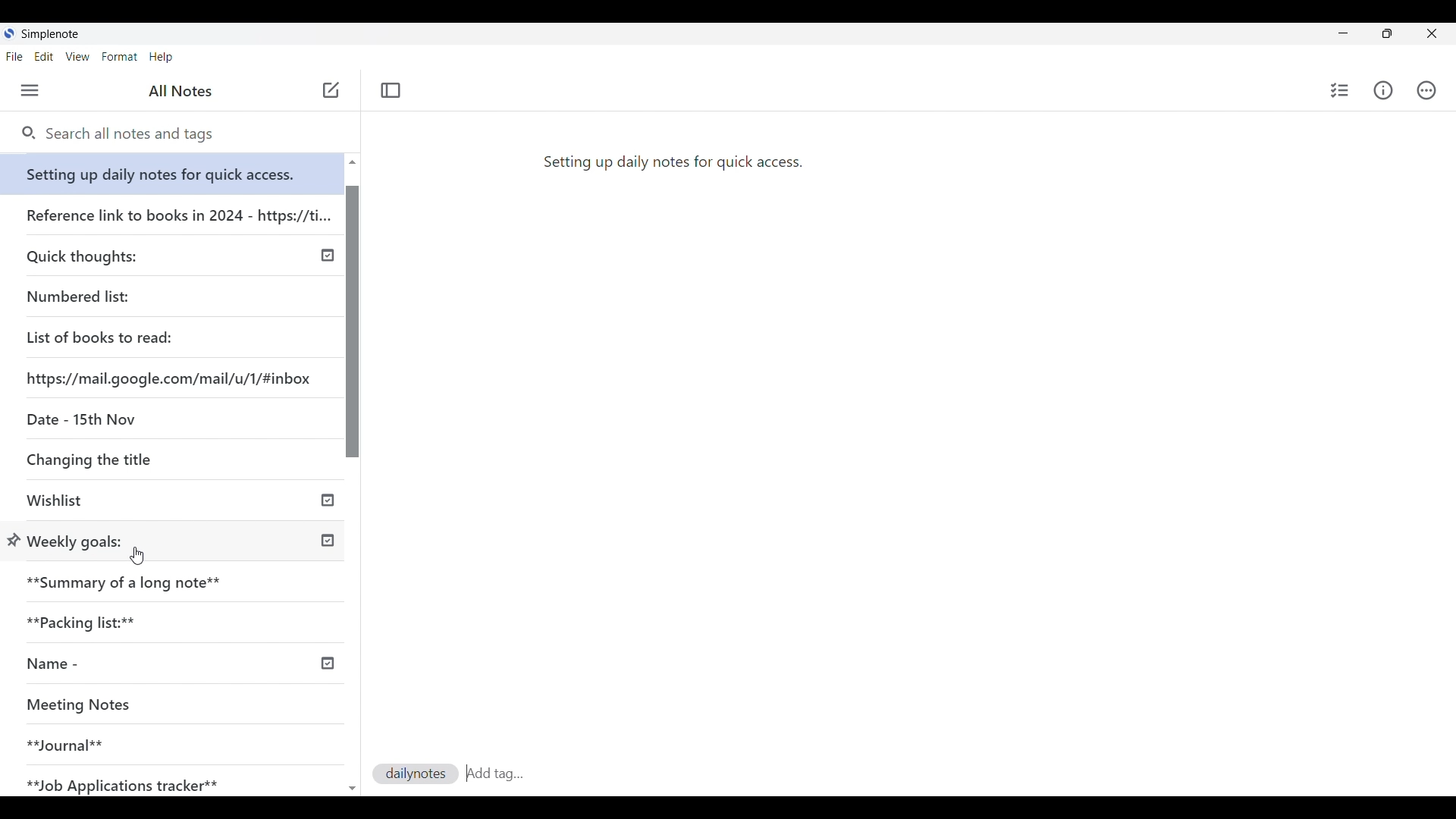 The height and width of the screenshot is (819, 1456). Describe the element at coordinates (1343, 33) in the screenshot. I see `Minimize` at that location.